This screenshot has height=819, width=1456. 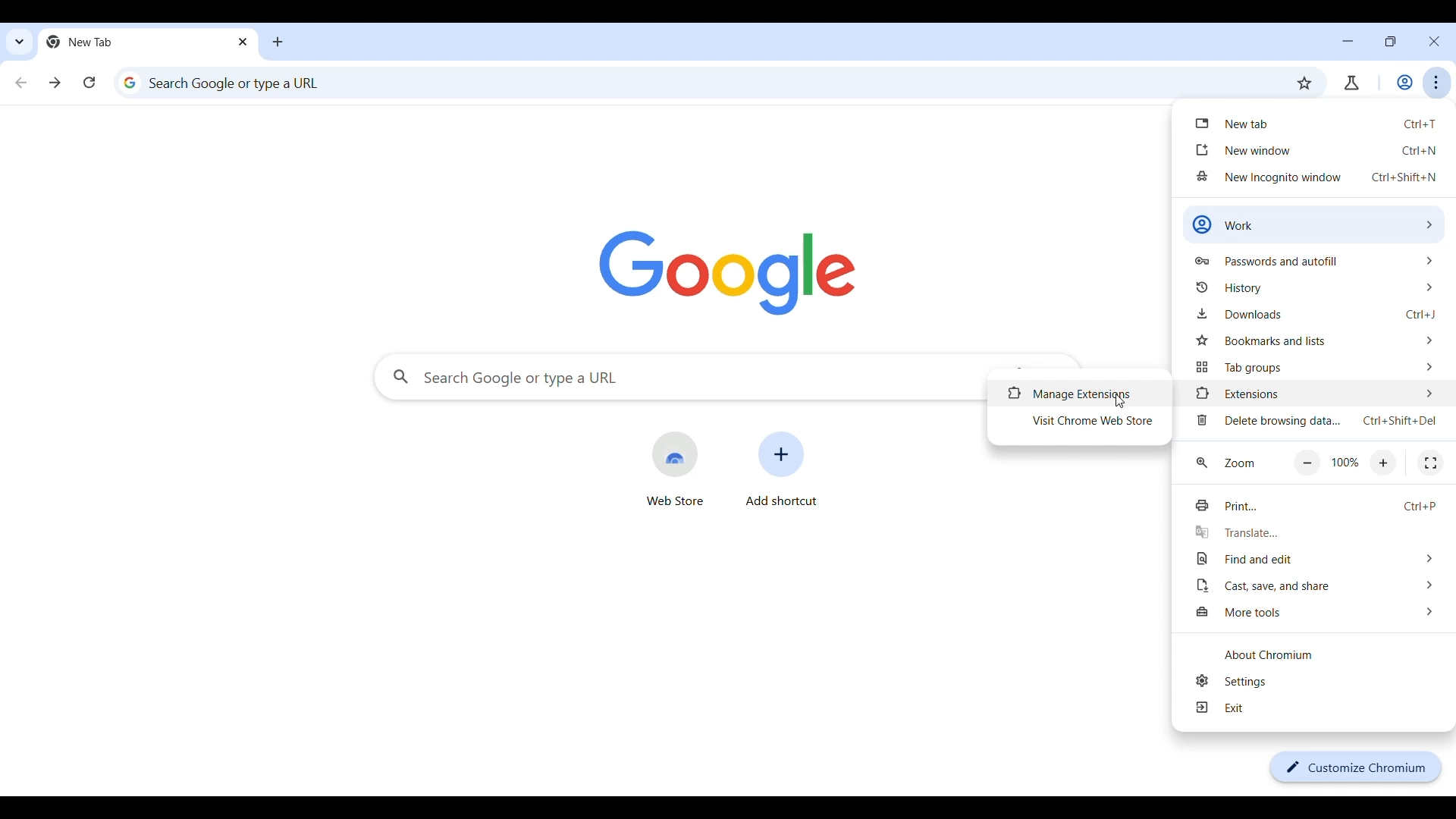 I want to click on Minimize, so click(x=1348, y=41).